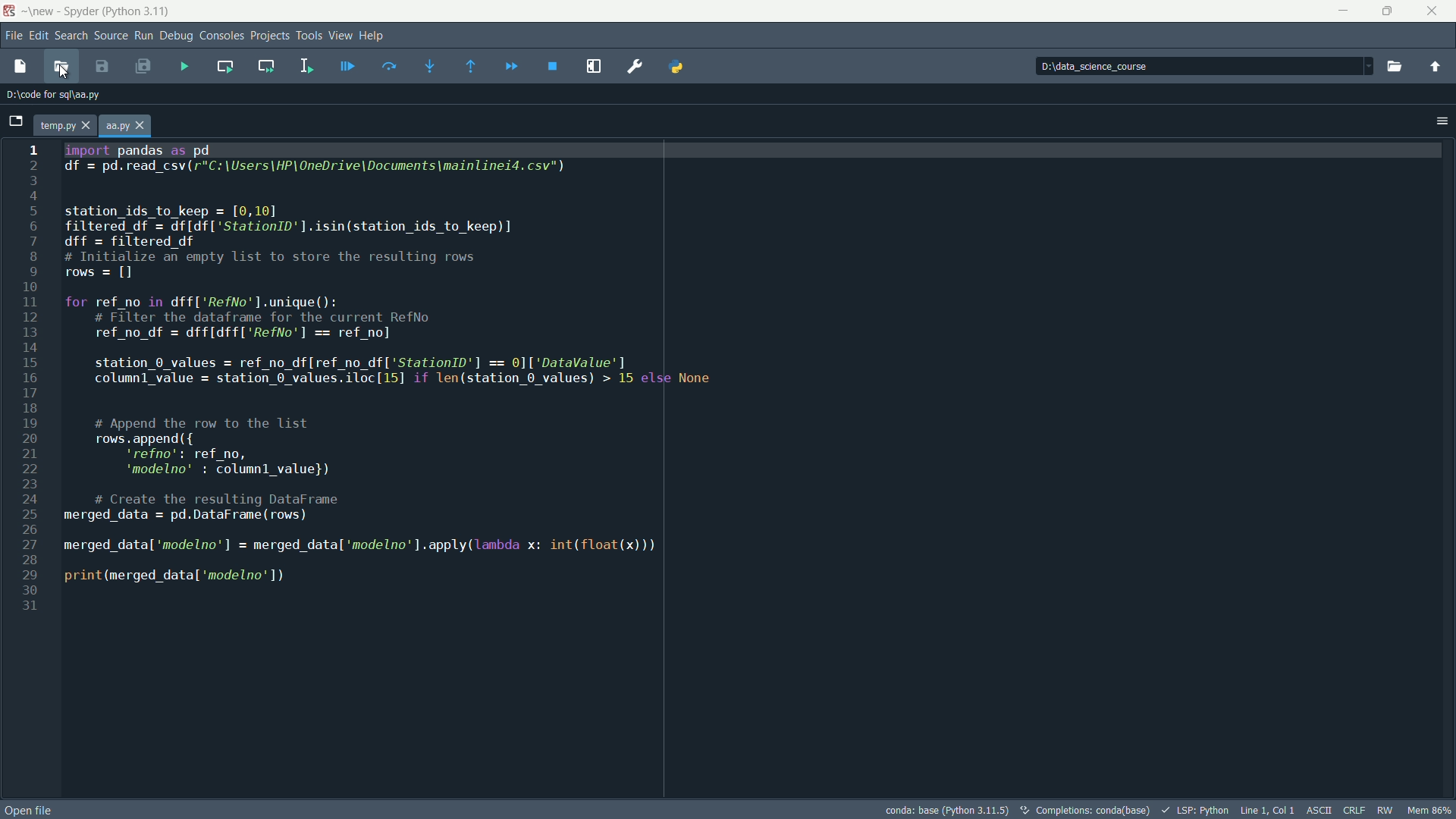 The width and height of the screenshot is (1456, 819). What do you see at coordinates (1386, 810) in the screenshot?
I see `rw` at bounding box center [1386, 810].